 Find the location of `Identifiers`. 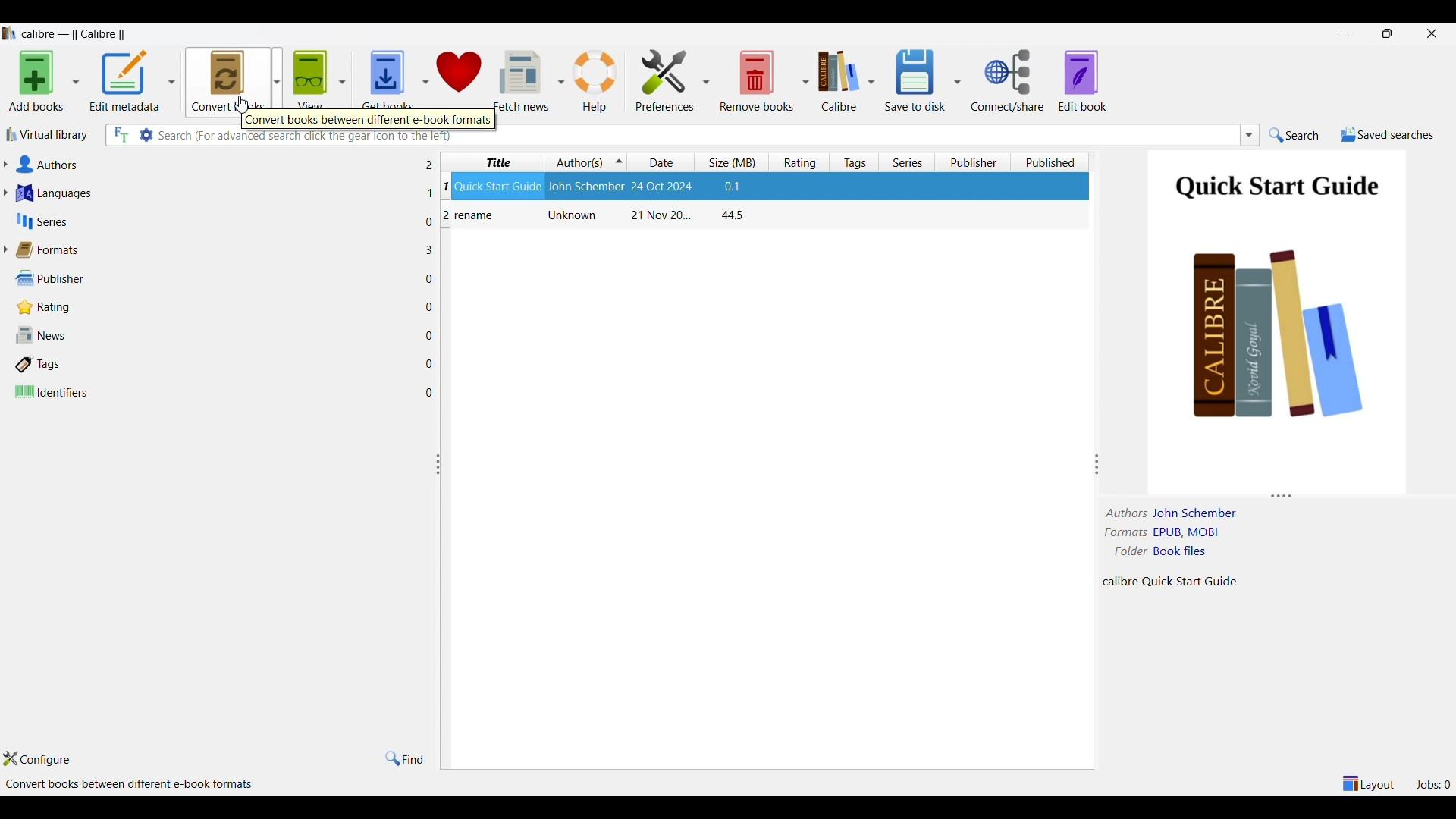

Identifiers is located at coordinates (214, 392).